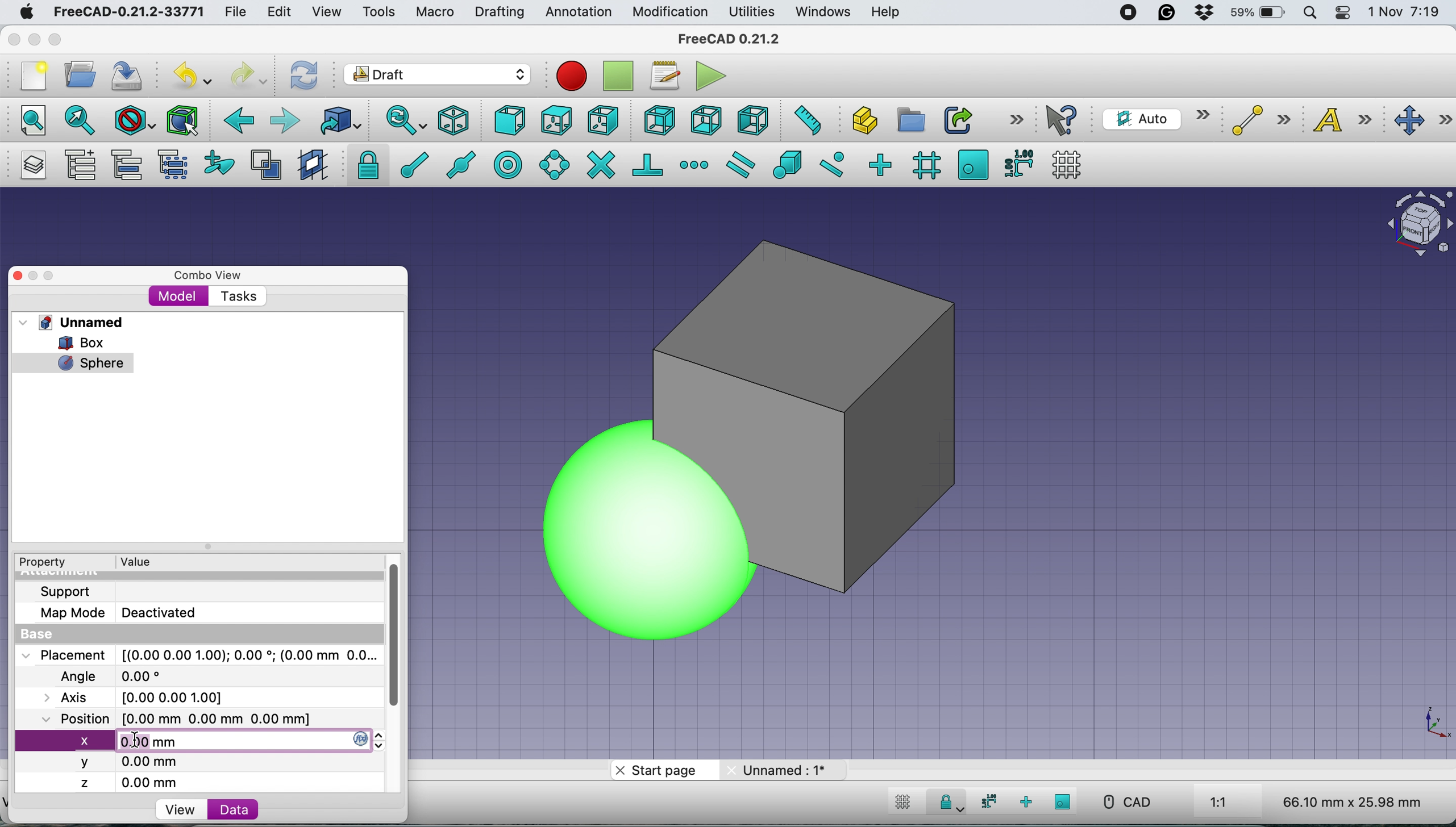  Describe the element at coordinates (125, 612) in the screenshot. I see `map mode` at that location.